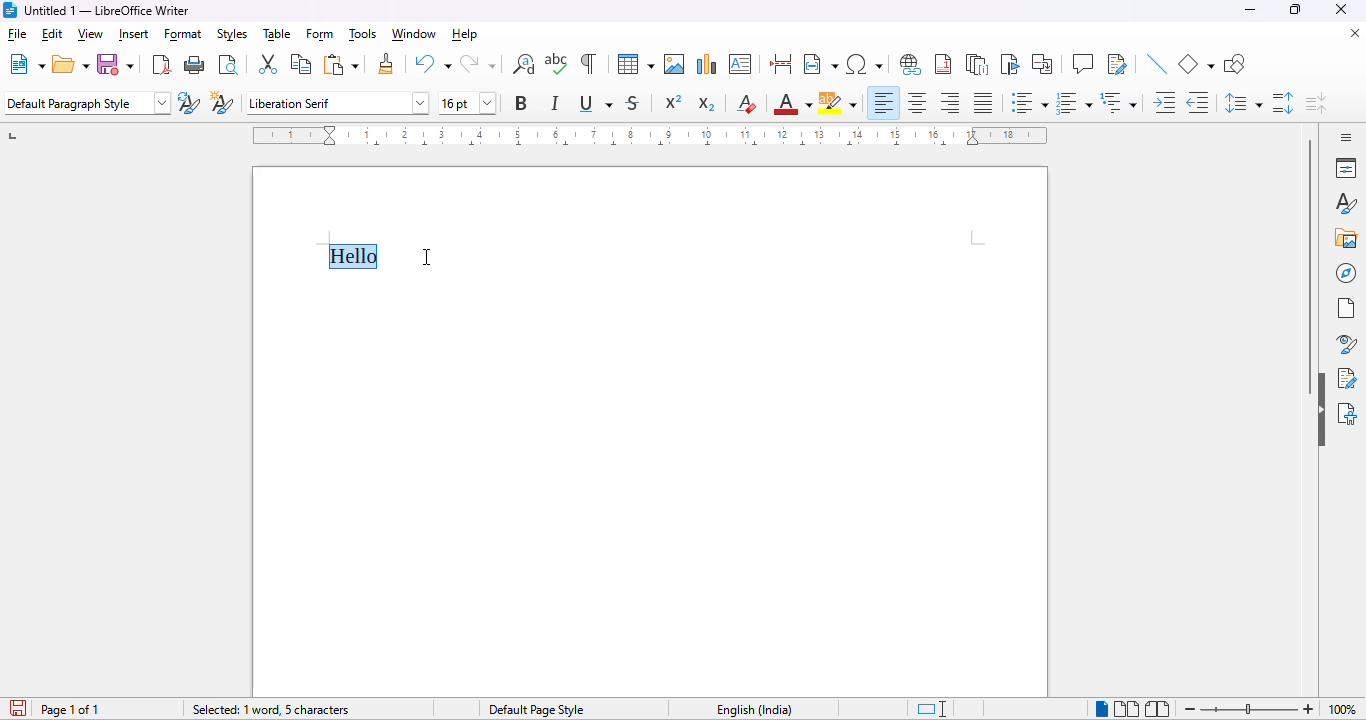 Image resolution: width=1366 pixels, height=720 pixels. I want to click on selected: 1 word, 5 characters, so click(270, 709).